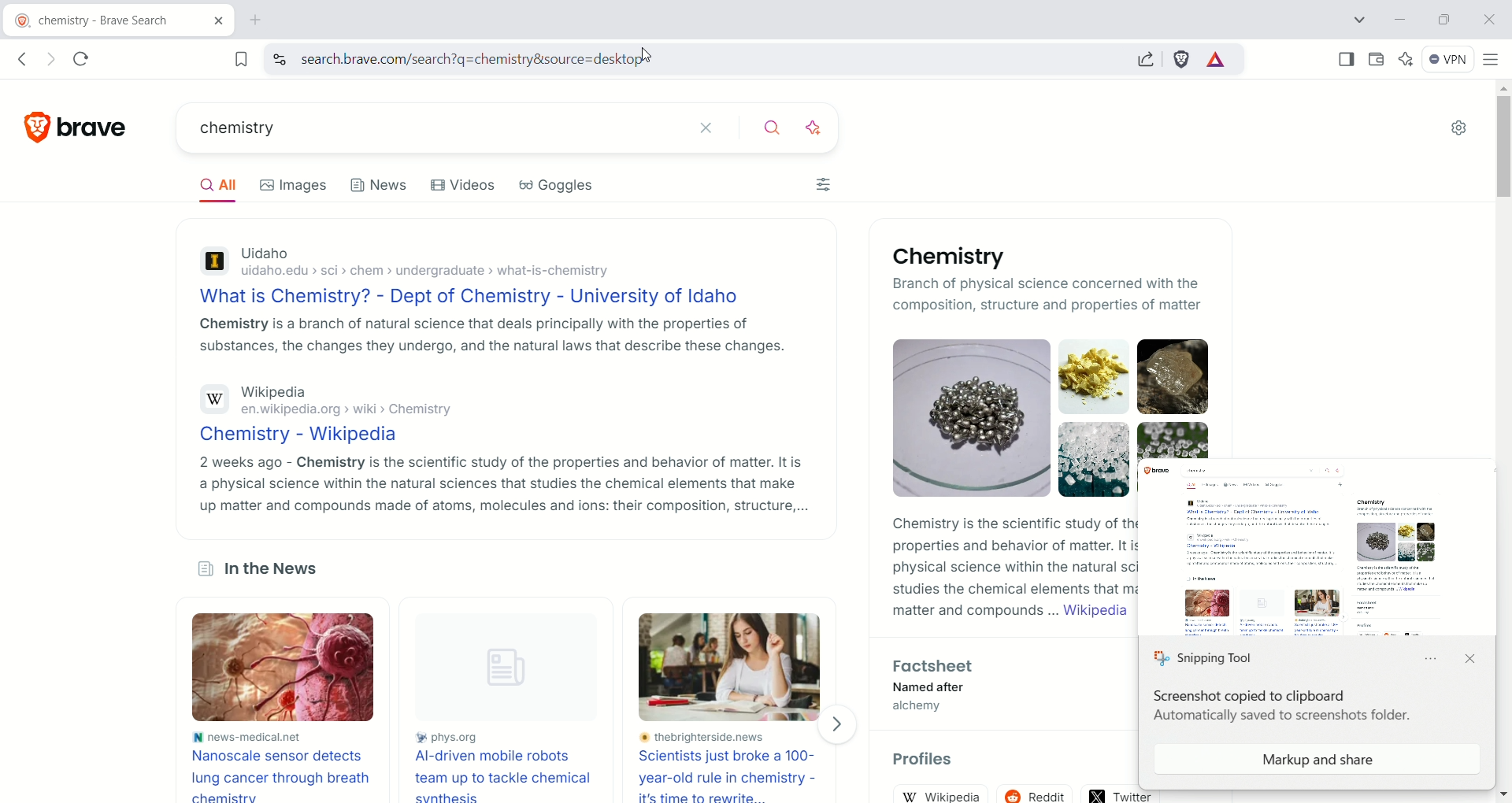 The height and width of the screenshot is (803, 1512). I want to click on search tabs, so click(1362, 20).